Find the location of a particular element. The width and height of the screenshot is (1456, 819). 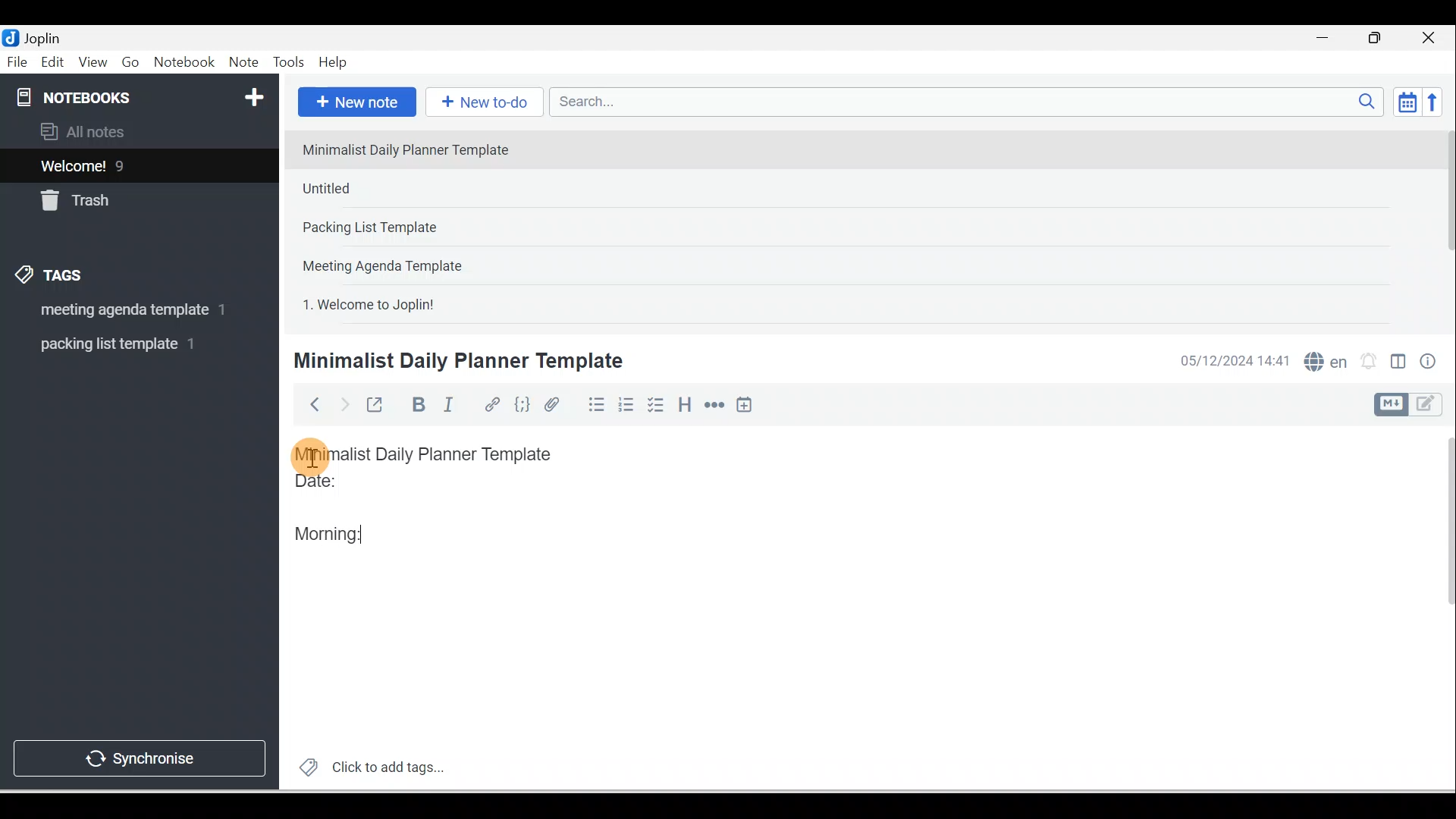

Go is located at coordinates (133, 63).